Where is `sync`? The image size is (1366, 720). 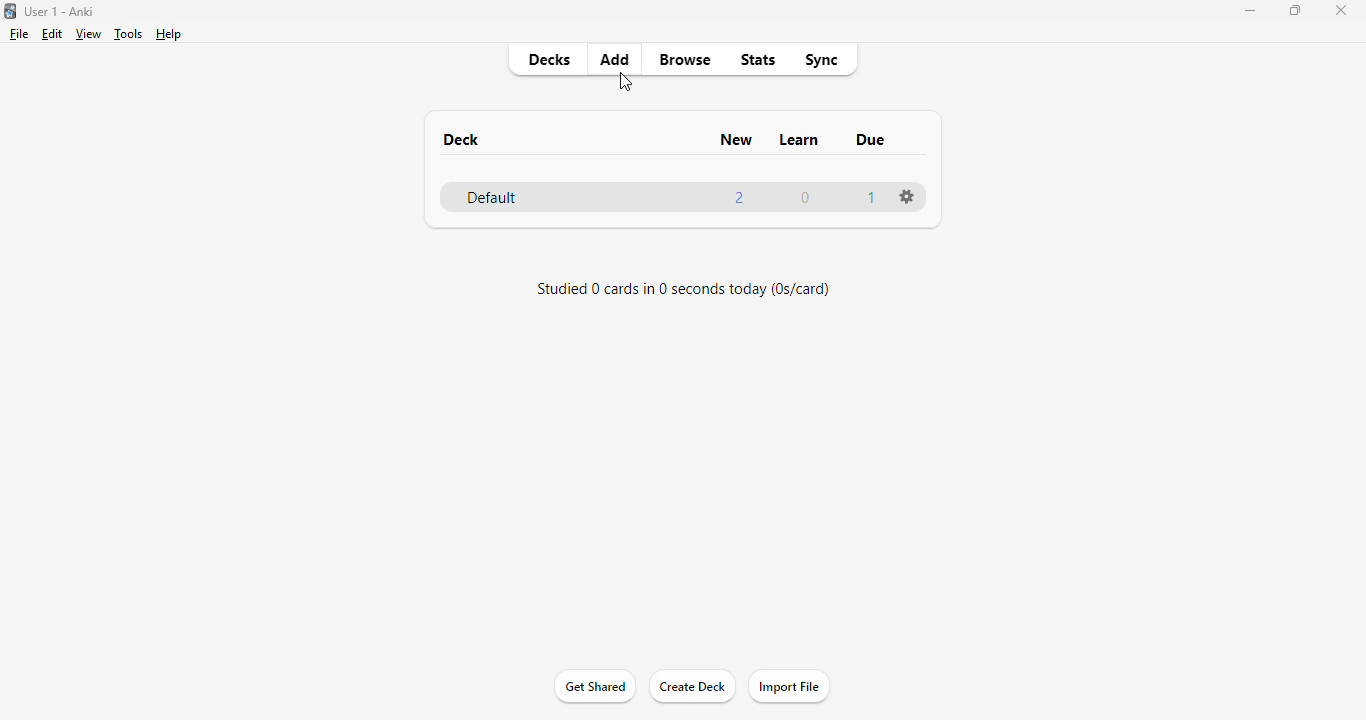 sync is located at coordinates (820, 60).